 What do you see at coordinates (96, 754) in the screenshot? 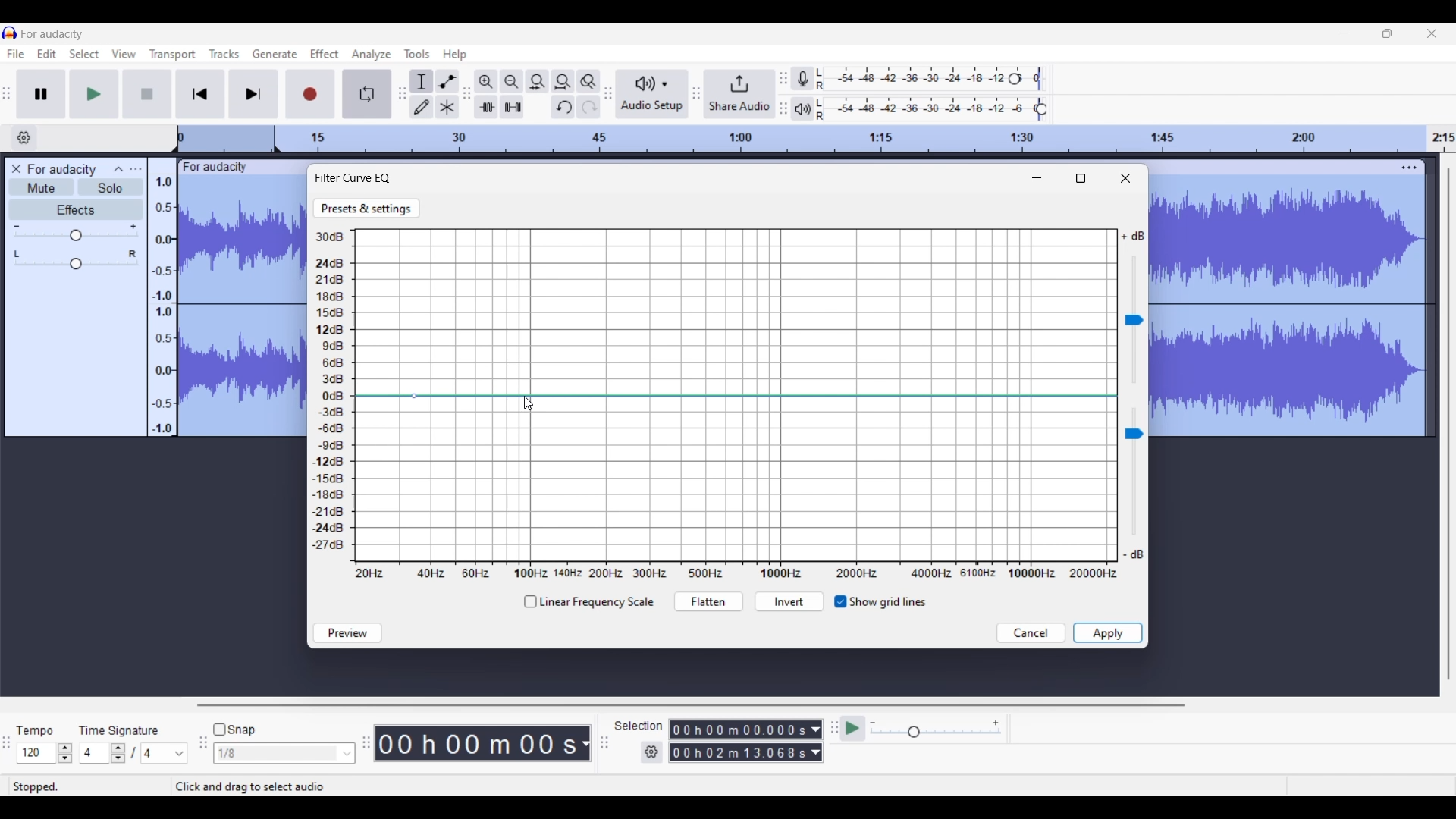
I see `Type in time signature` at bounding box center [96, 754].